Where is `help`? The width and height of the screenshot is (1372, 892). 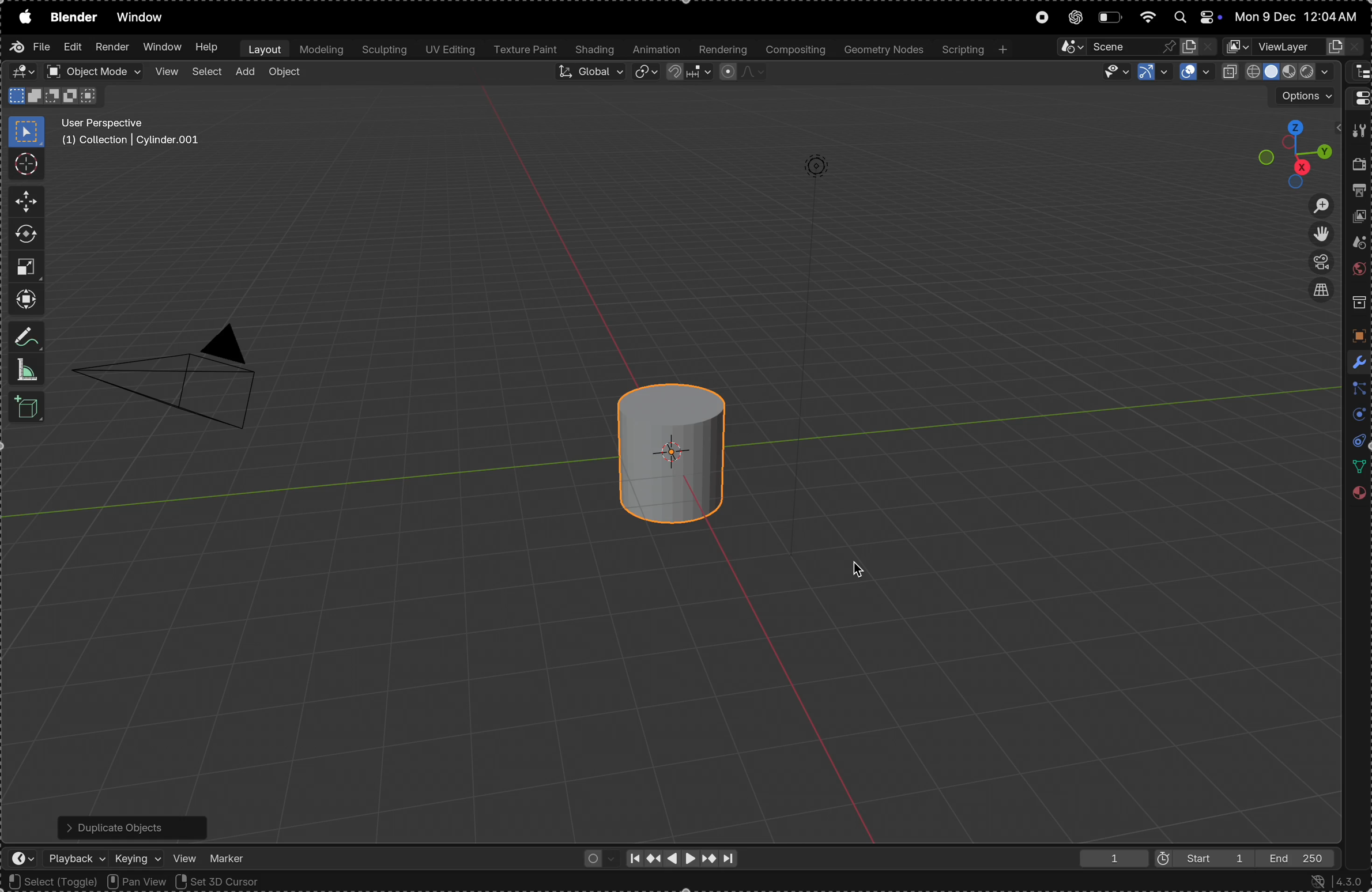 help is located at coordinates (207, 47).